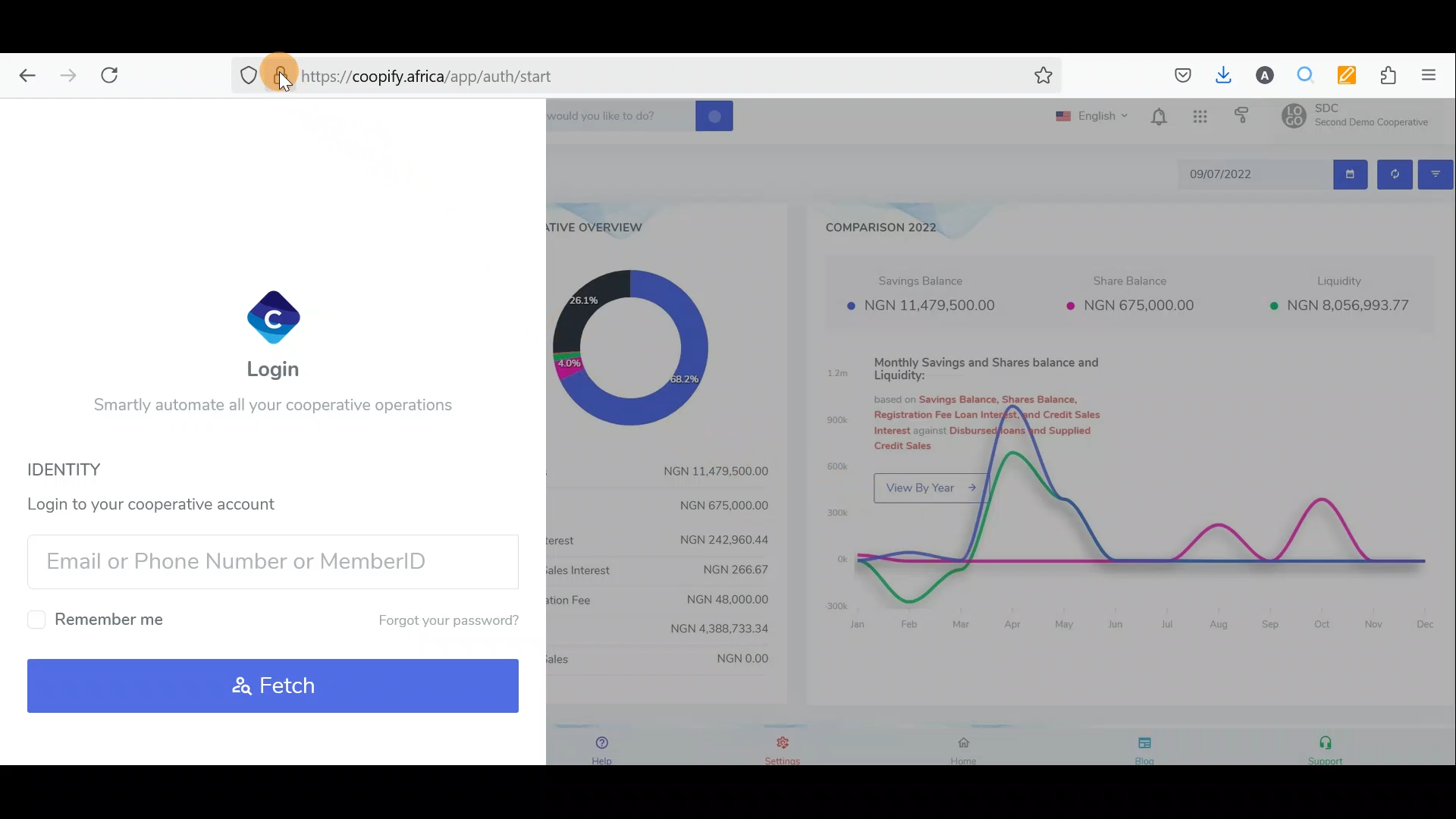 Image resolution: width=1456 pixels, height=819 pixels. What do you see at coordinates (64, 75) in the screenshot?
I see `Go forward one page` at bounding box center [64, 75].